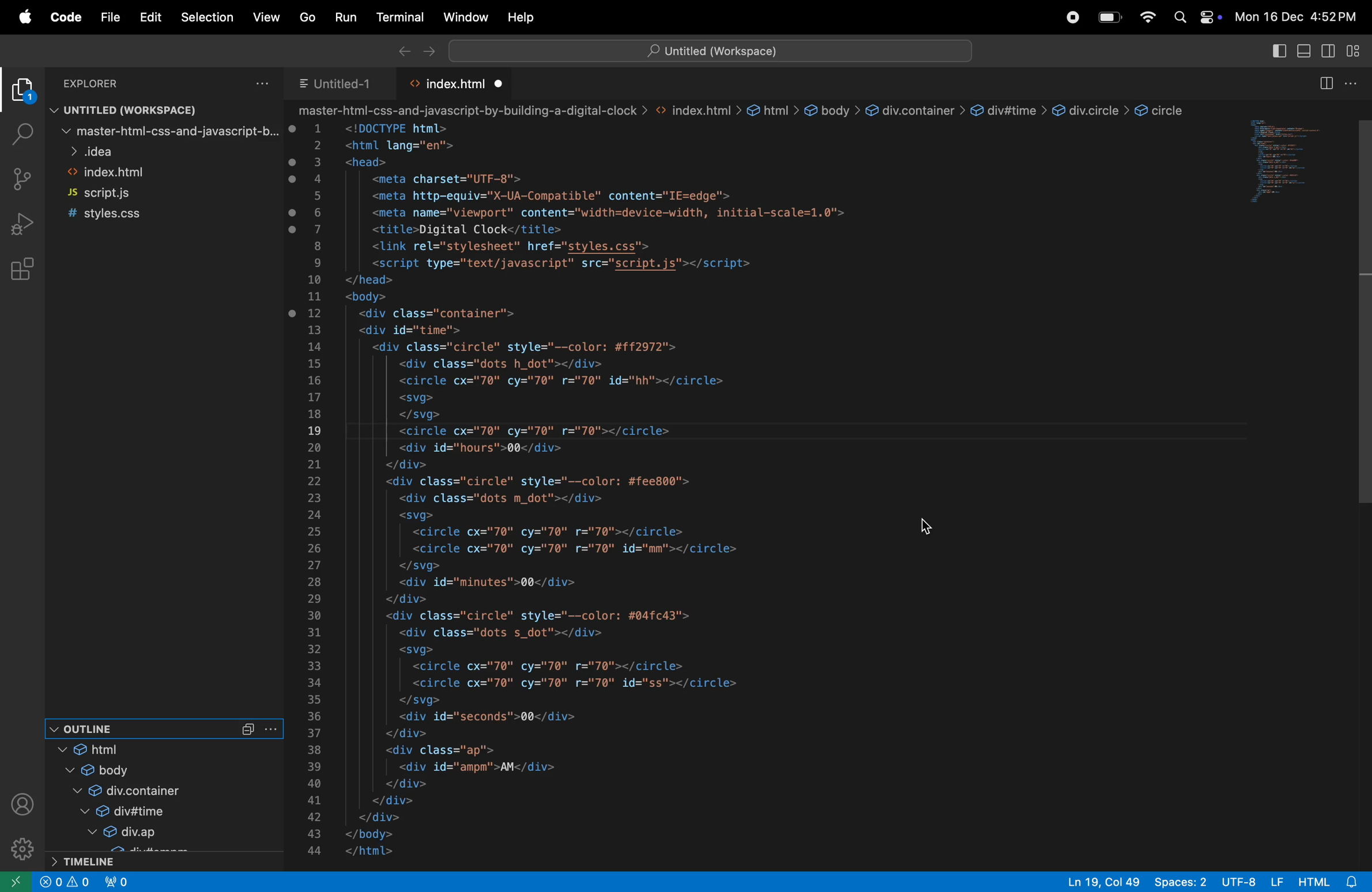  What do you see at coordinates (425, 52) in the screenshot?
I see `forward` at bounding box center [425, 52].